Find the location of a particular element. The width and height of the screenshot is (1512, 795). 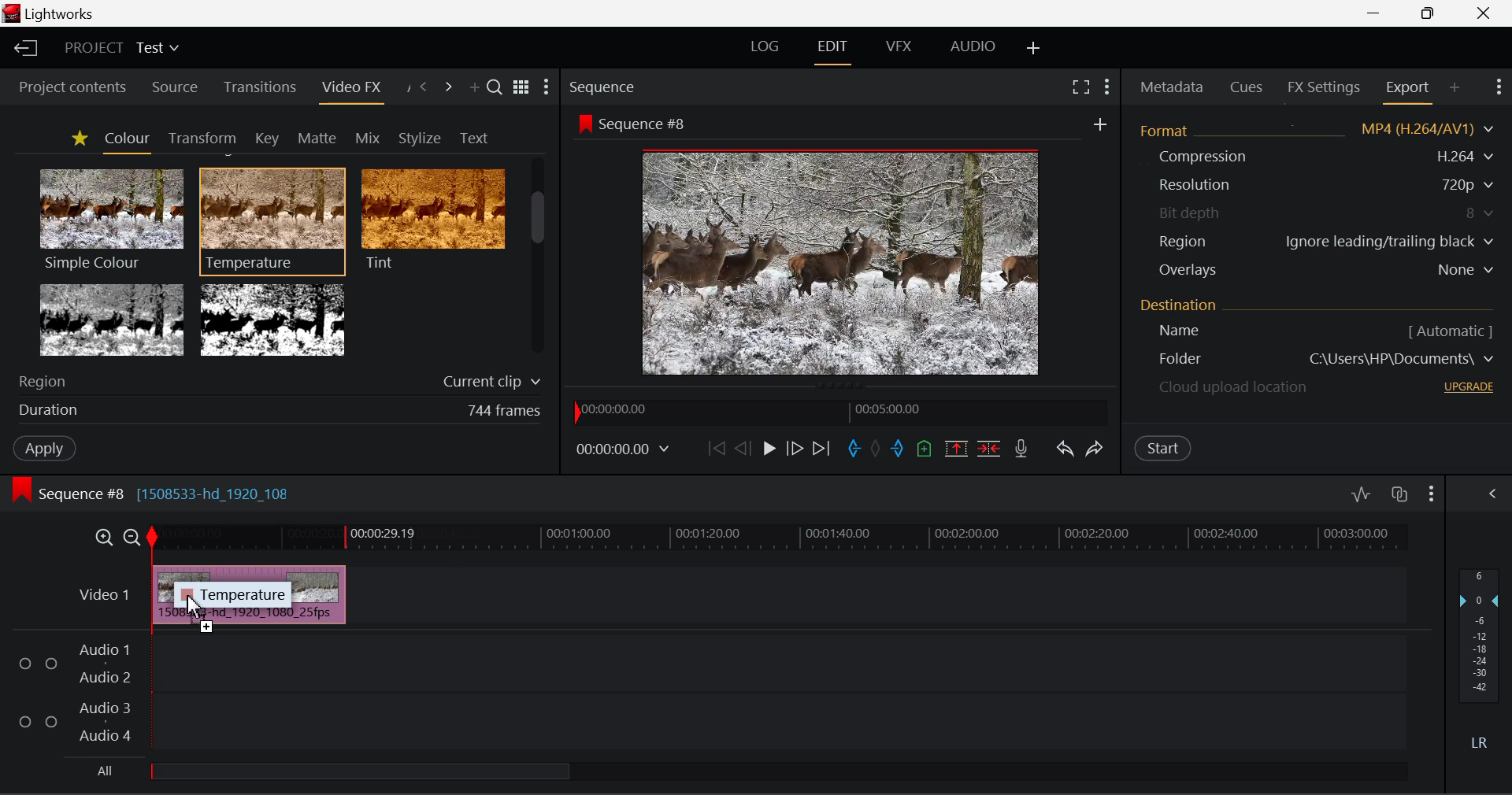

AUDIO Layout is located at coordinates (973, 46).